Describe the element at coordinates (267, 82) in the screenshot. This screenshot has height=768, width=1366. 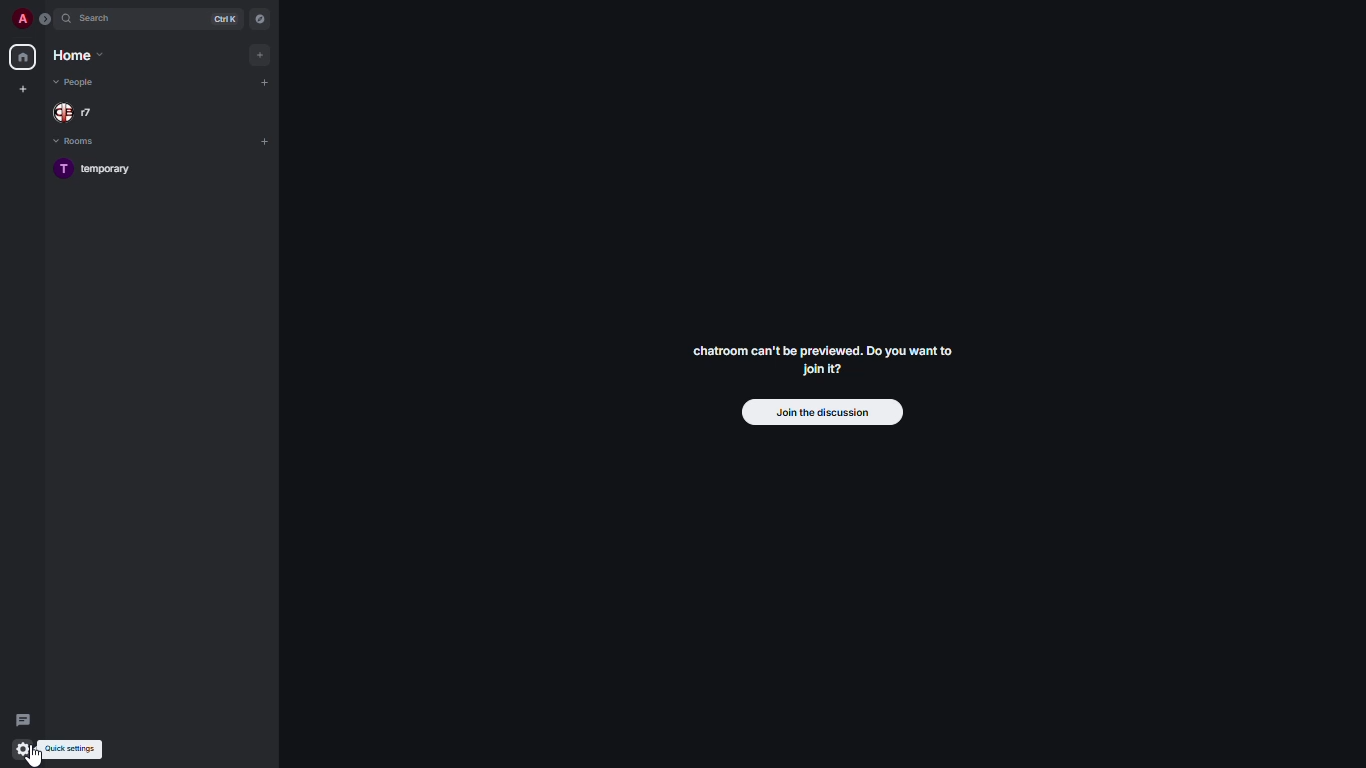
I see `add` at that location.